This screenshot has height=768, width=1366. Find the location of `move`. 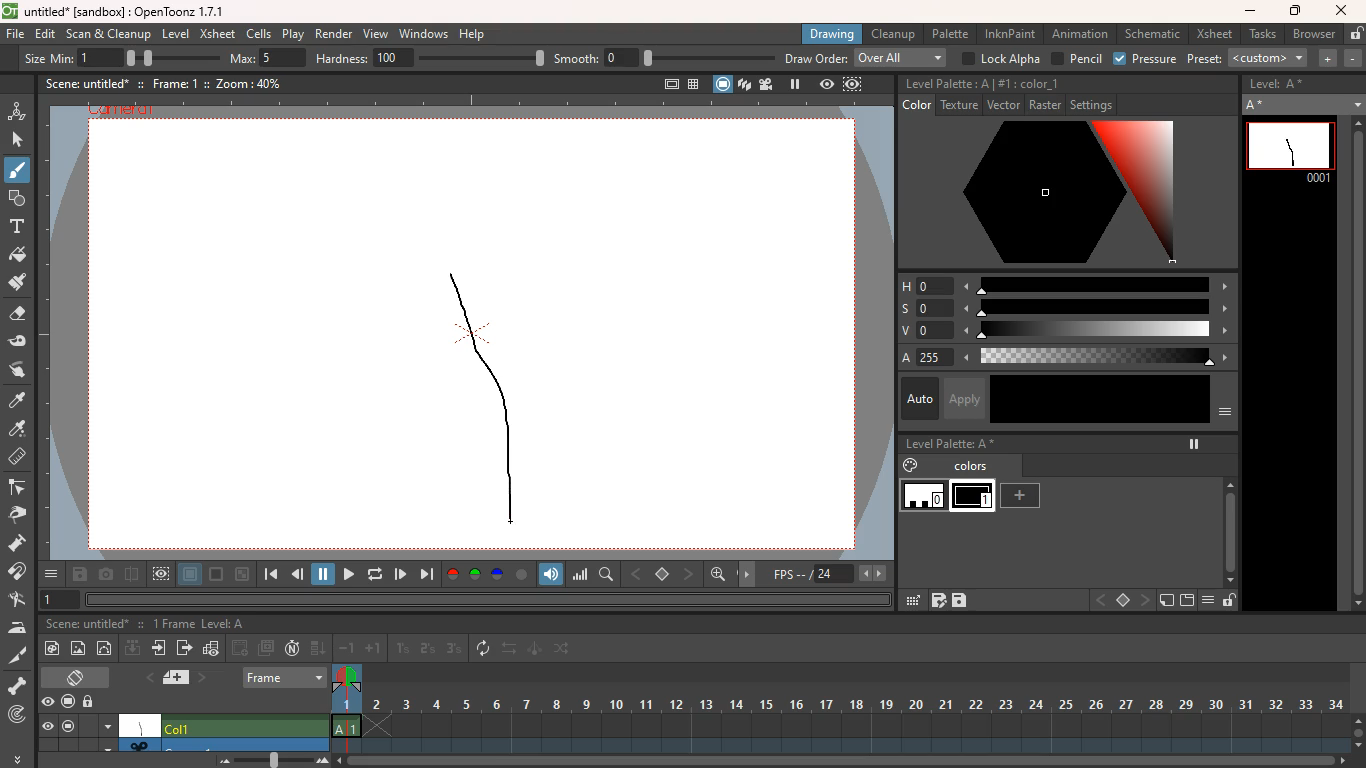

move is located at coordinates (160, 650).